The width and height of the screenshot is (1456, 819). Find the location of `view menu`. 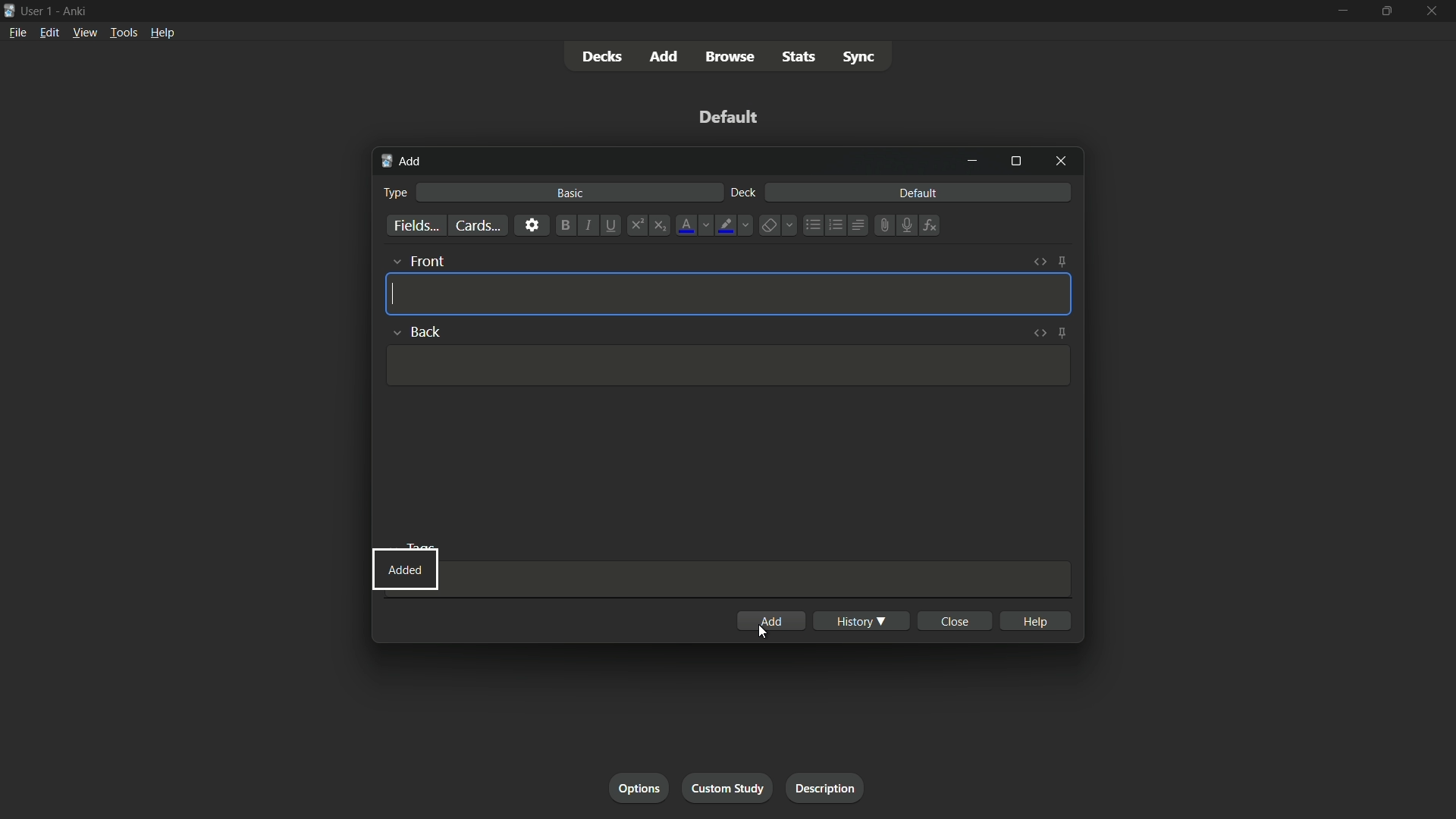

view menu is located at coordinates (85, 33).